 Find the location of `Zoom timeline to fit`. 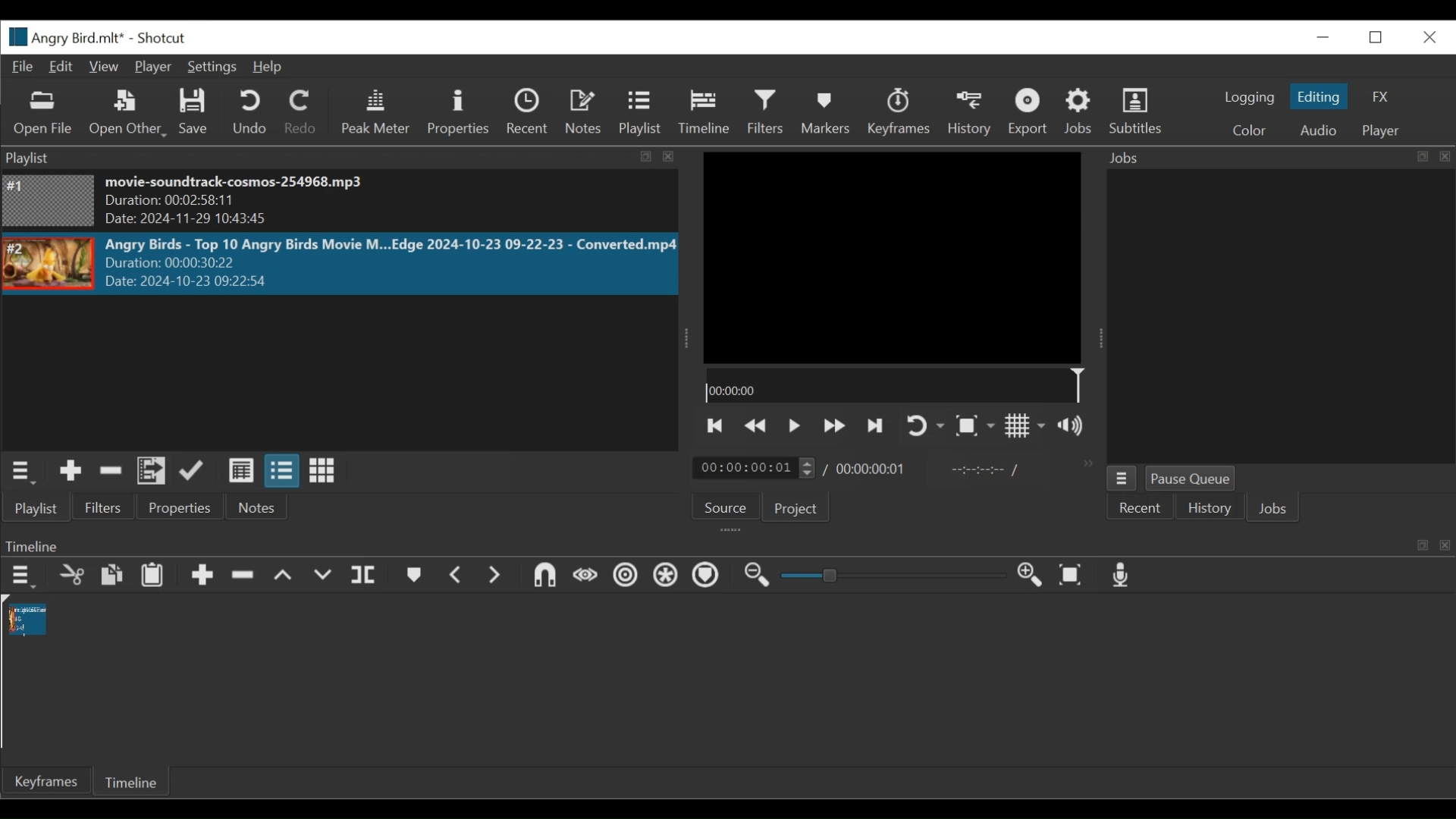

Zoom timeline to fit is located at coordinates (1073, 575).